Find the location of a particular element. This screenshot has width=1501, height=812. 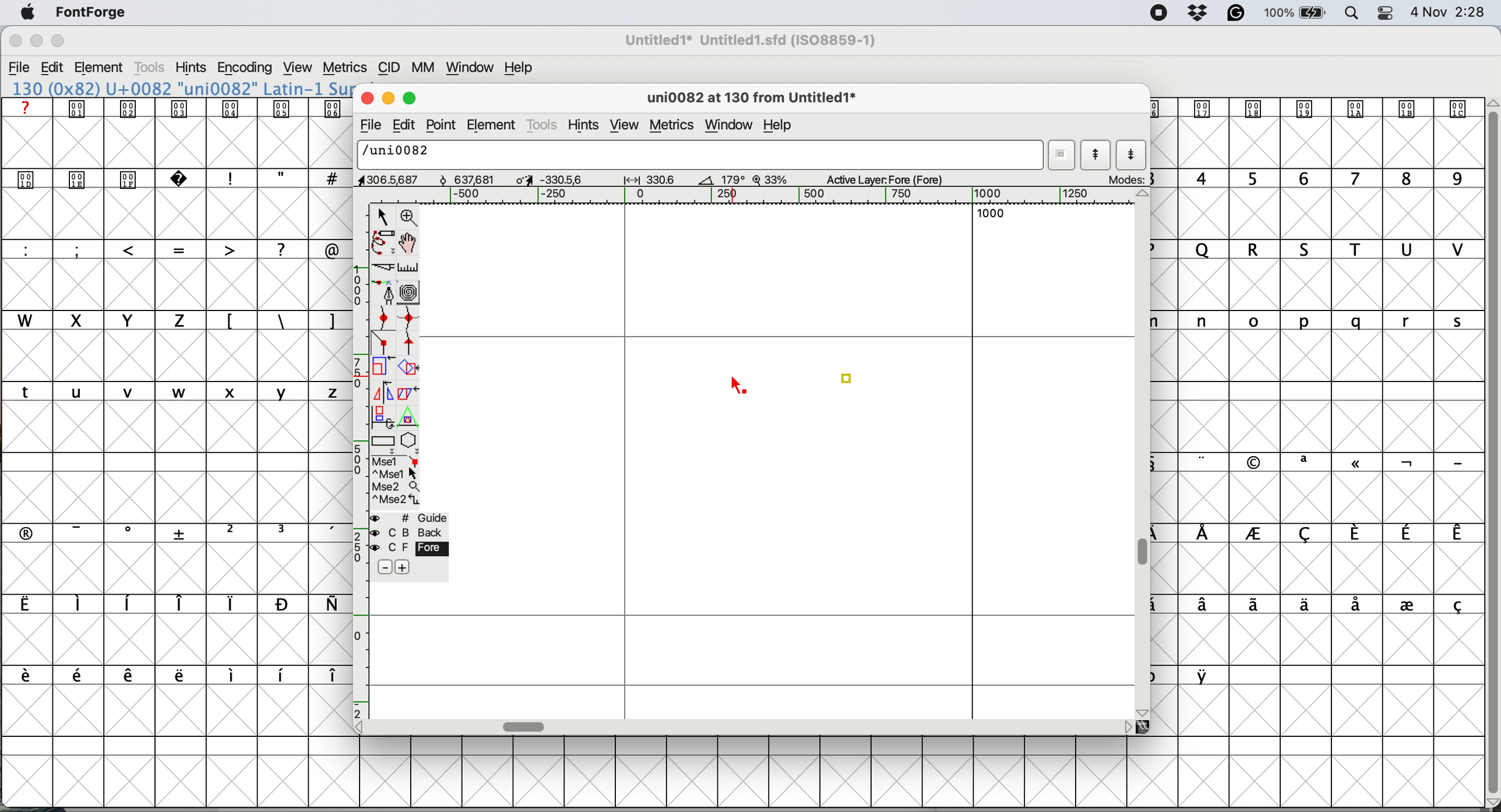

dimensions is located at coordinates (551, 179).